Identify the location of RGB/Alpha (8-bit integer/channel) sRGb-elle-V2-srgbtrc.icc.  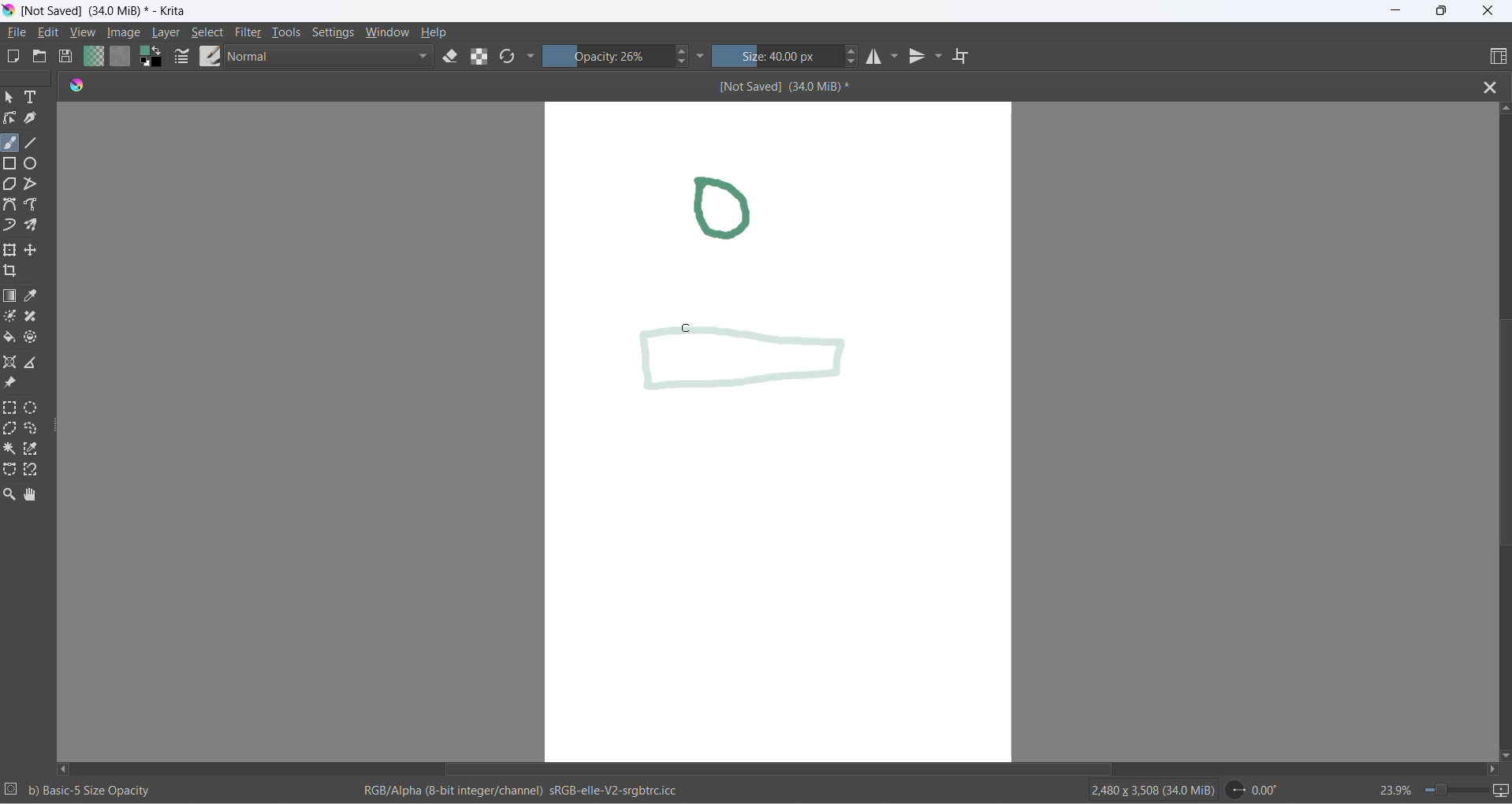
(524, 792).